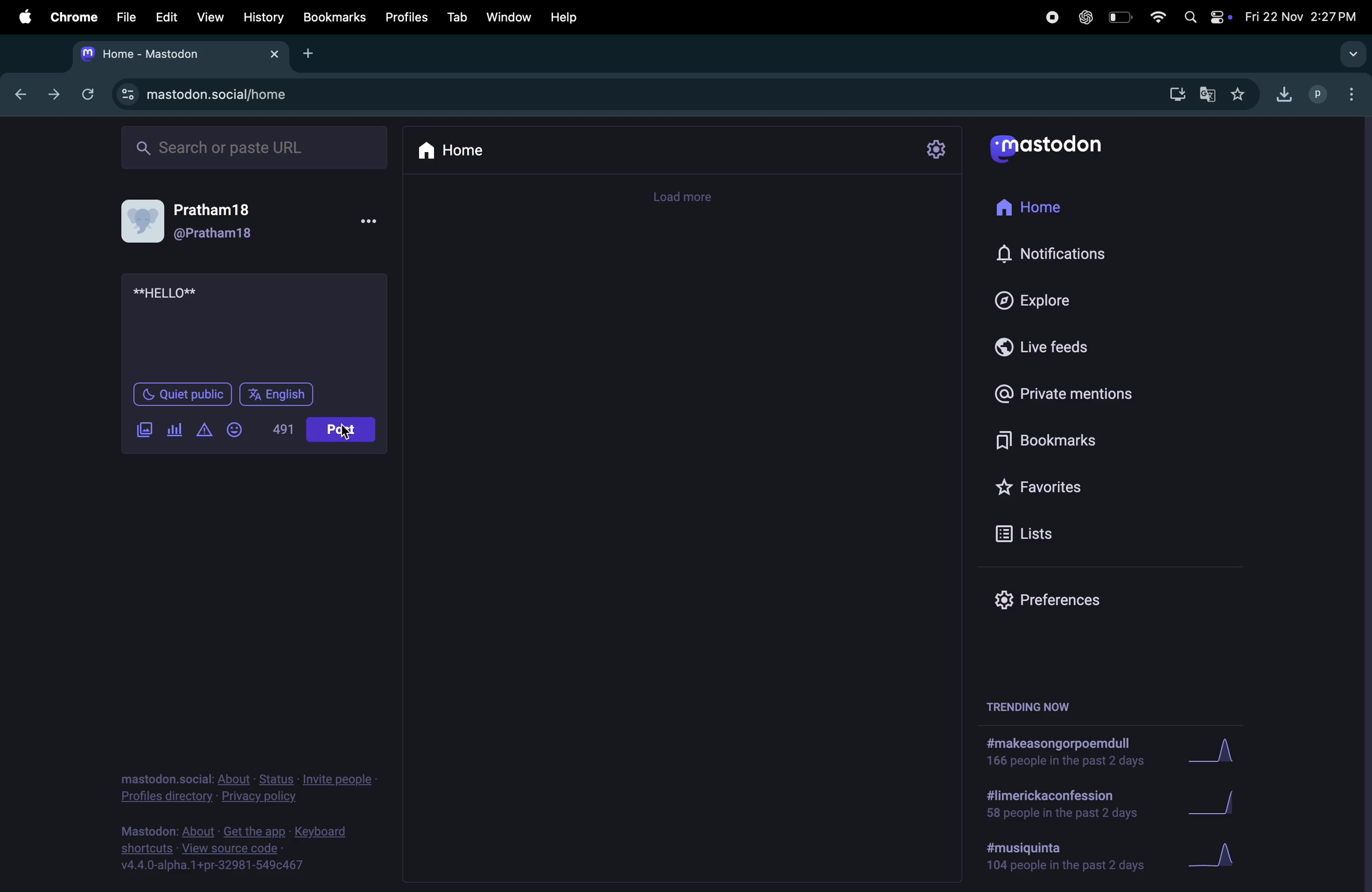  Describe the element at coordinates (1078, 300) in the screenshot. I see `explore` at that location.